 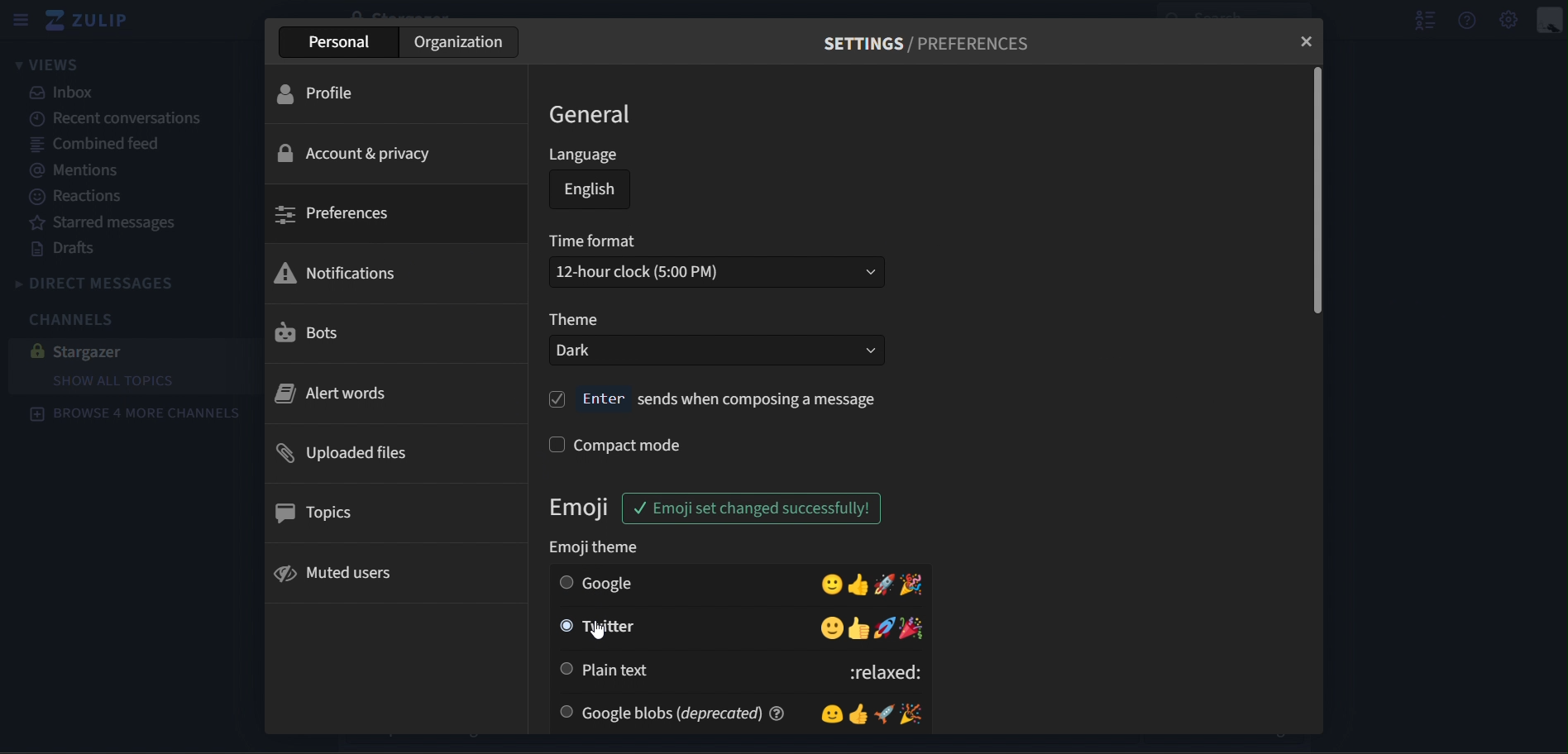 I want to click on topics files, so click(x=319, y=513).